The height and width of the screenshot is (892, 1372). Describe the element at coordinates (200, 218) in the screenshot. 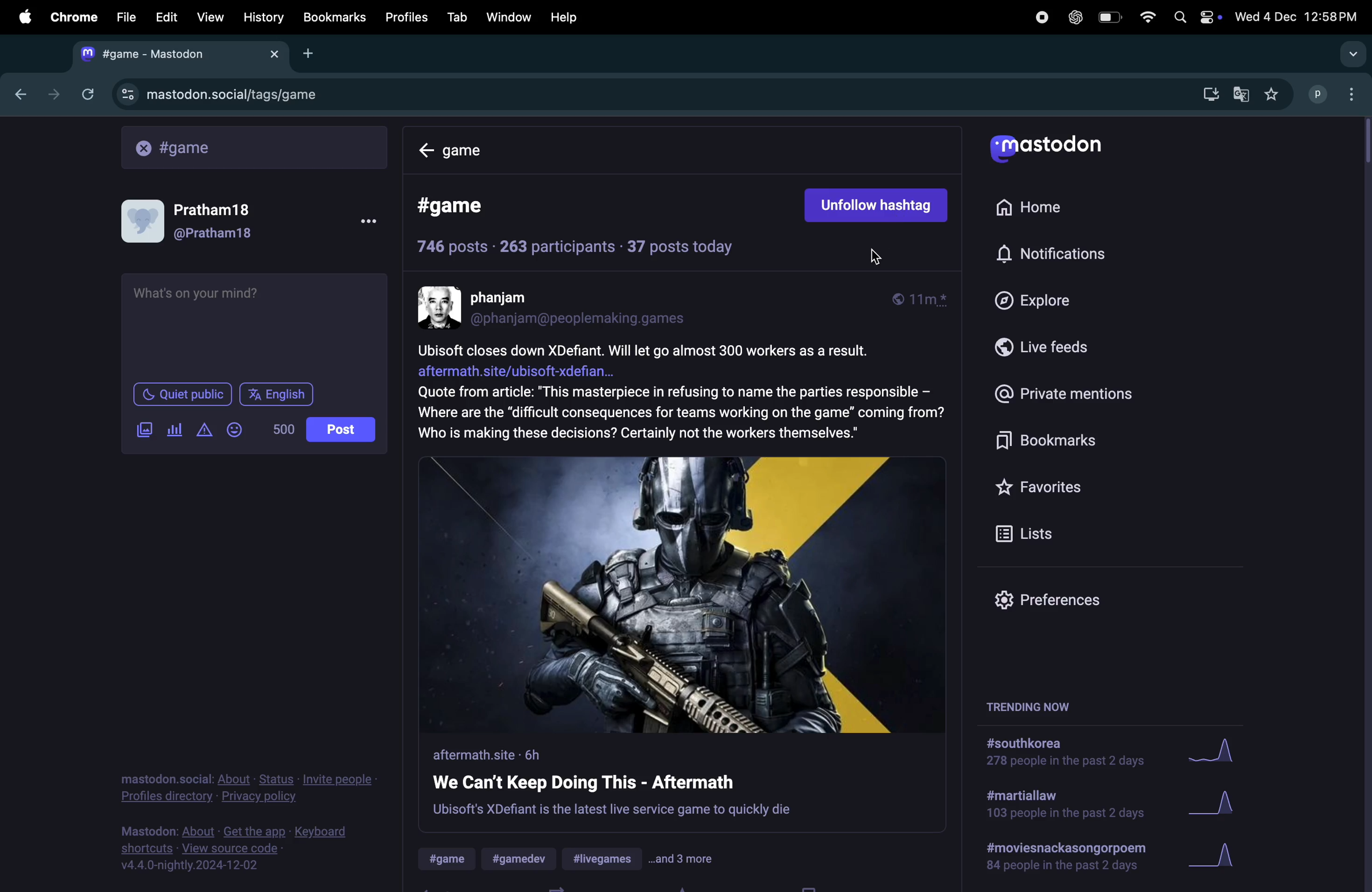

I see `userprofile` at that location.